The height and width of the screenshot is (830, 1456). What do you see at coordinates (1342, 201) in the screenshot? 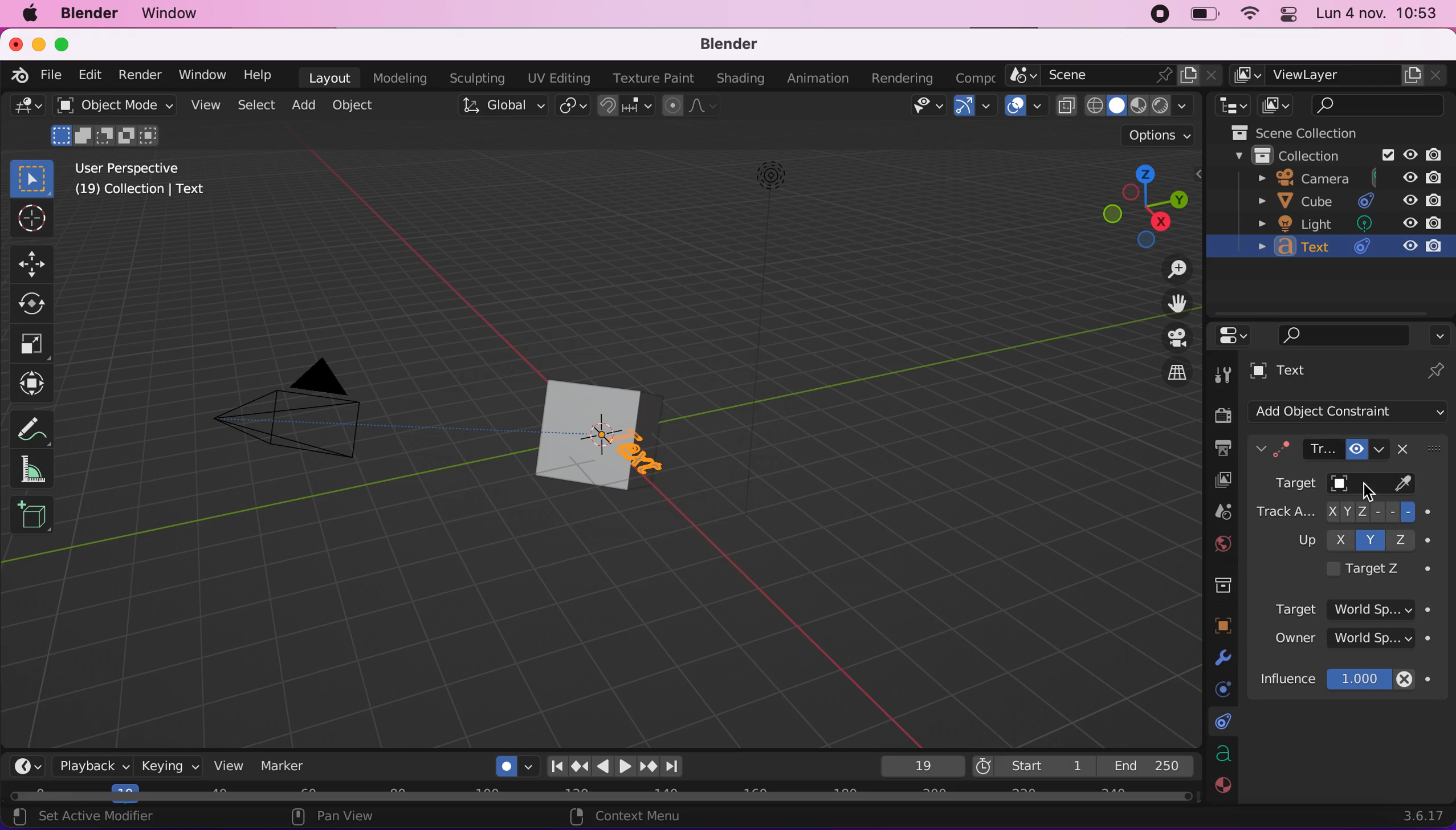
I see `cube` at bounding box center [1342, 201].